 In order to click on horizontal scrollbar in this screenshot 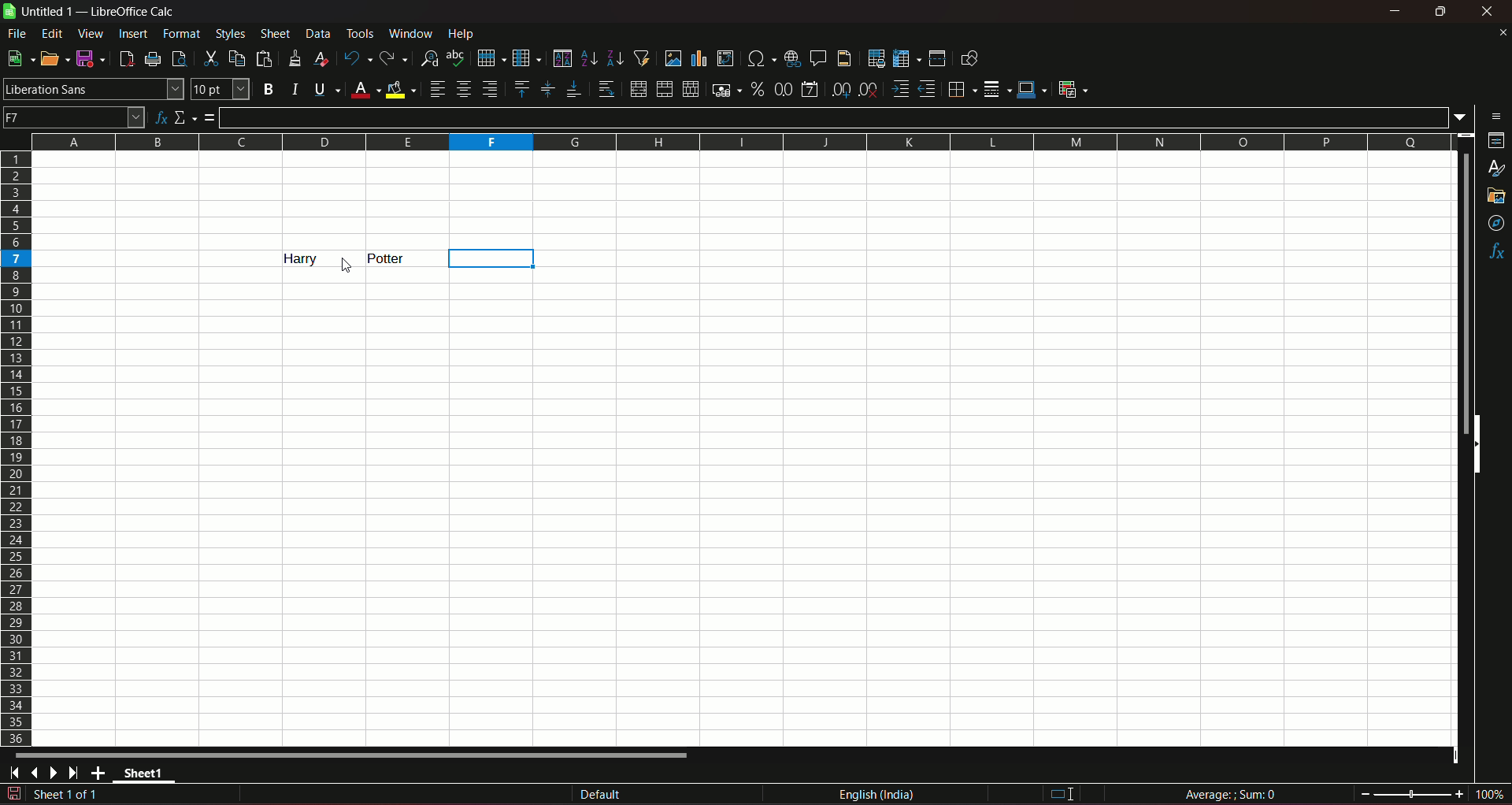, I will do `click(353, 755)`.